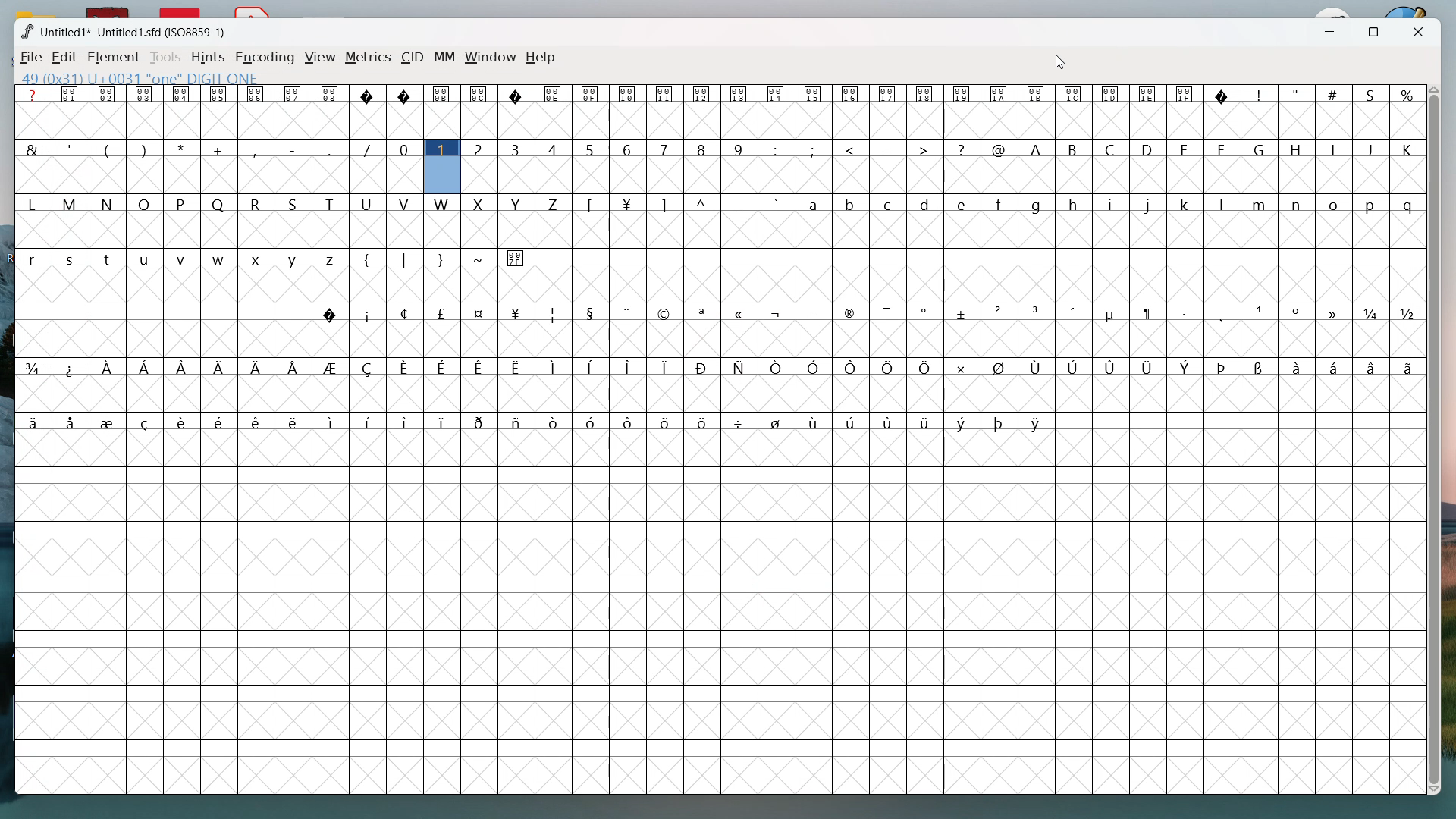 The image size is (1456, 819). Describe the element at coordinates (1371, 33) in the screenshot. I see `maximize` at that location.